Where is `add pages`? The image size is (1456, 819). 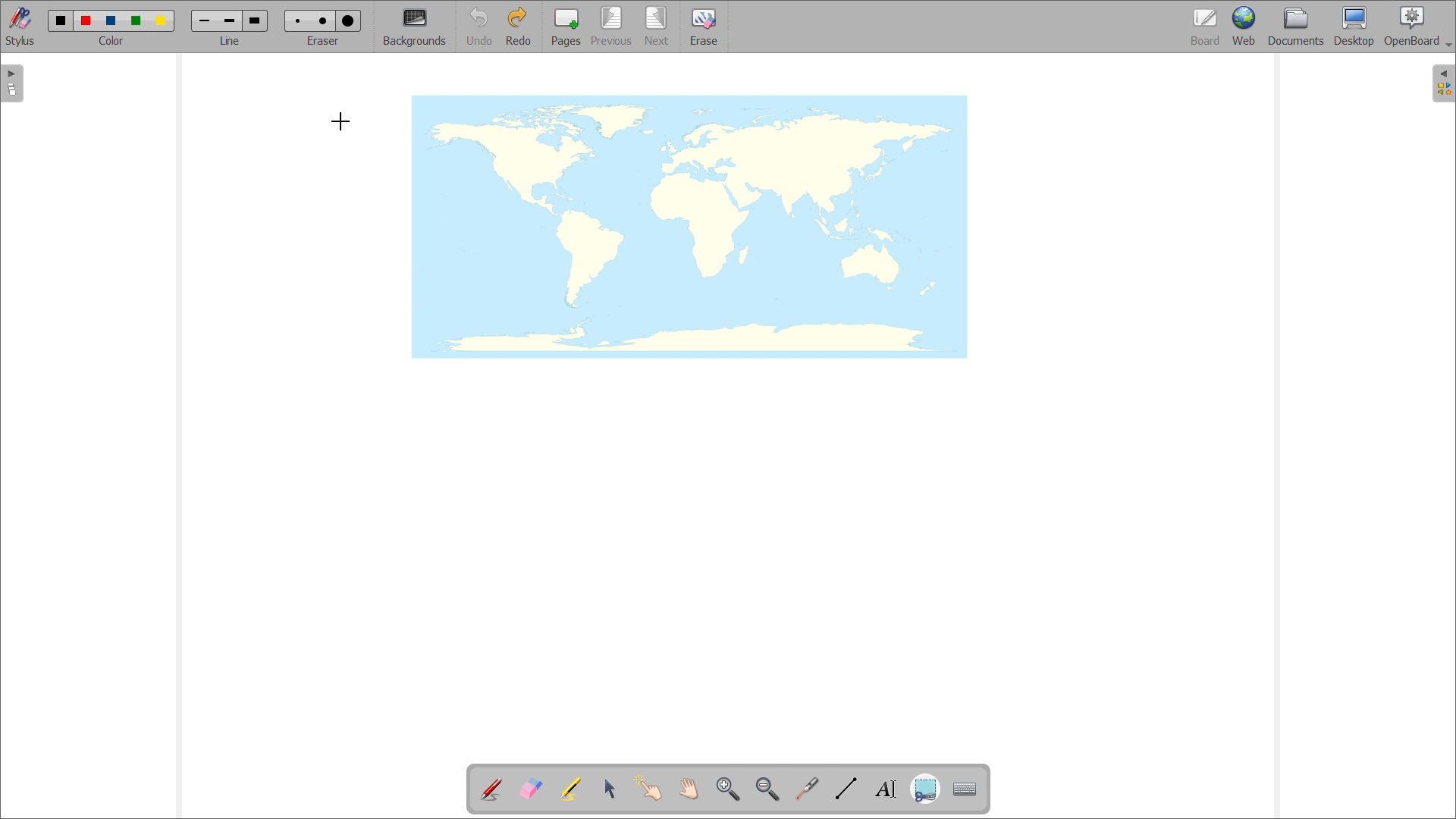
add pages is located at coordinates (566, 27).